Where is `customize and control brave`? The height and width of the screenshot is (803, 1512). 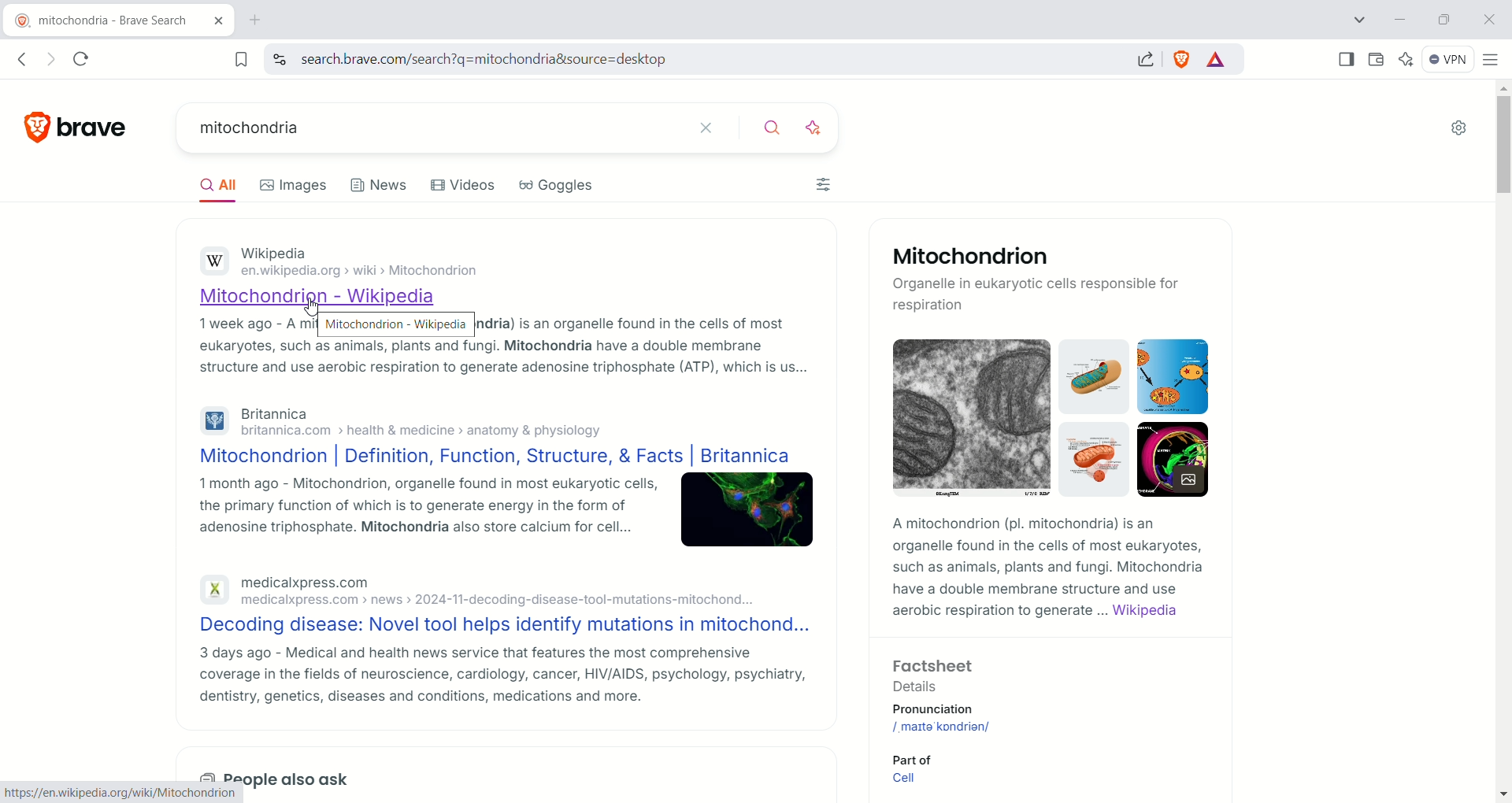 customize and control brave is located at coordinates (1495, 61).